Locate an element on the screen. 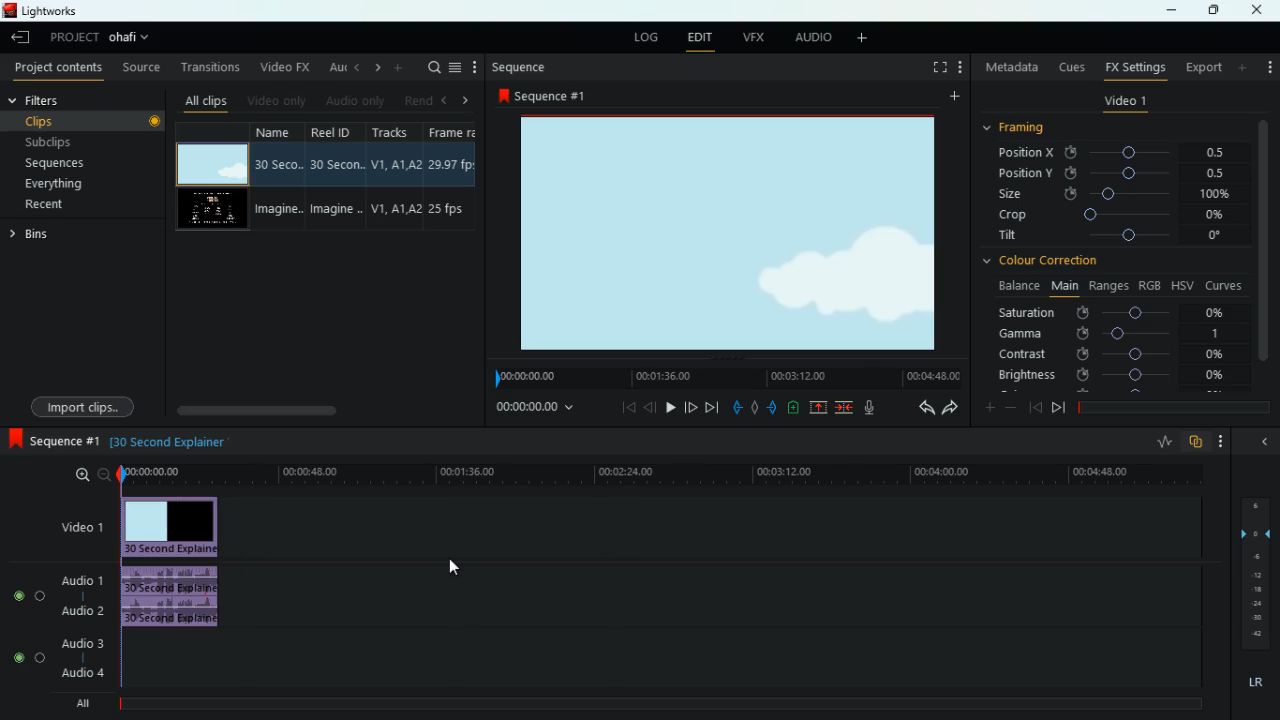 The image size is (1280, 720). minus is located at coordinates (1011, 407).